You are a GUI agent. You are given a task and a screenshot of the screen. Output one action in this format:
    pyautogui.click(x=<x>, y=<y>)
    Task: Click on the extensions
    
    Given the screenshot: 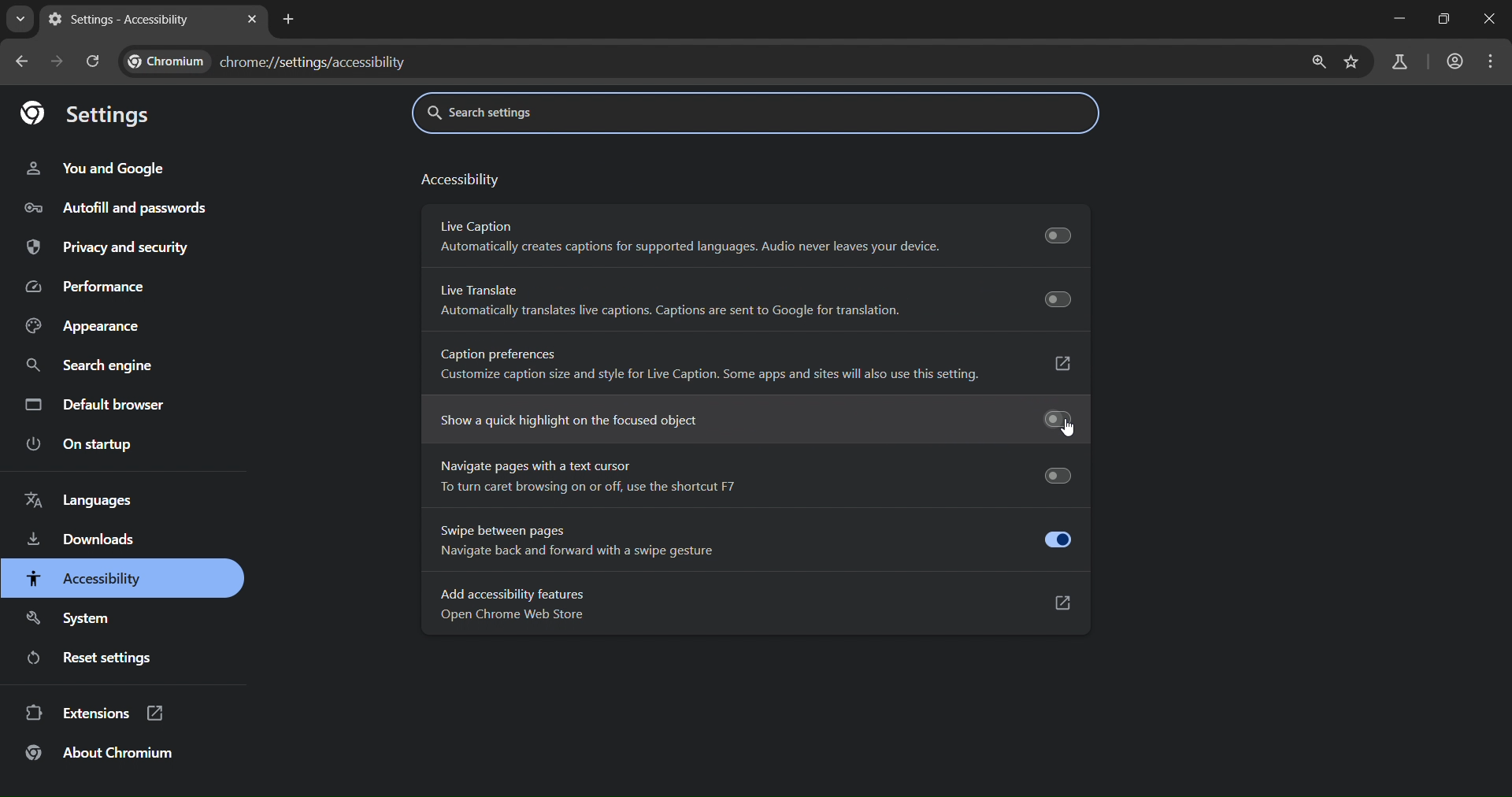 What is the action you would take?
    pyautogui.click(x=95, y=714)
    